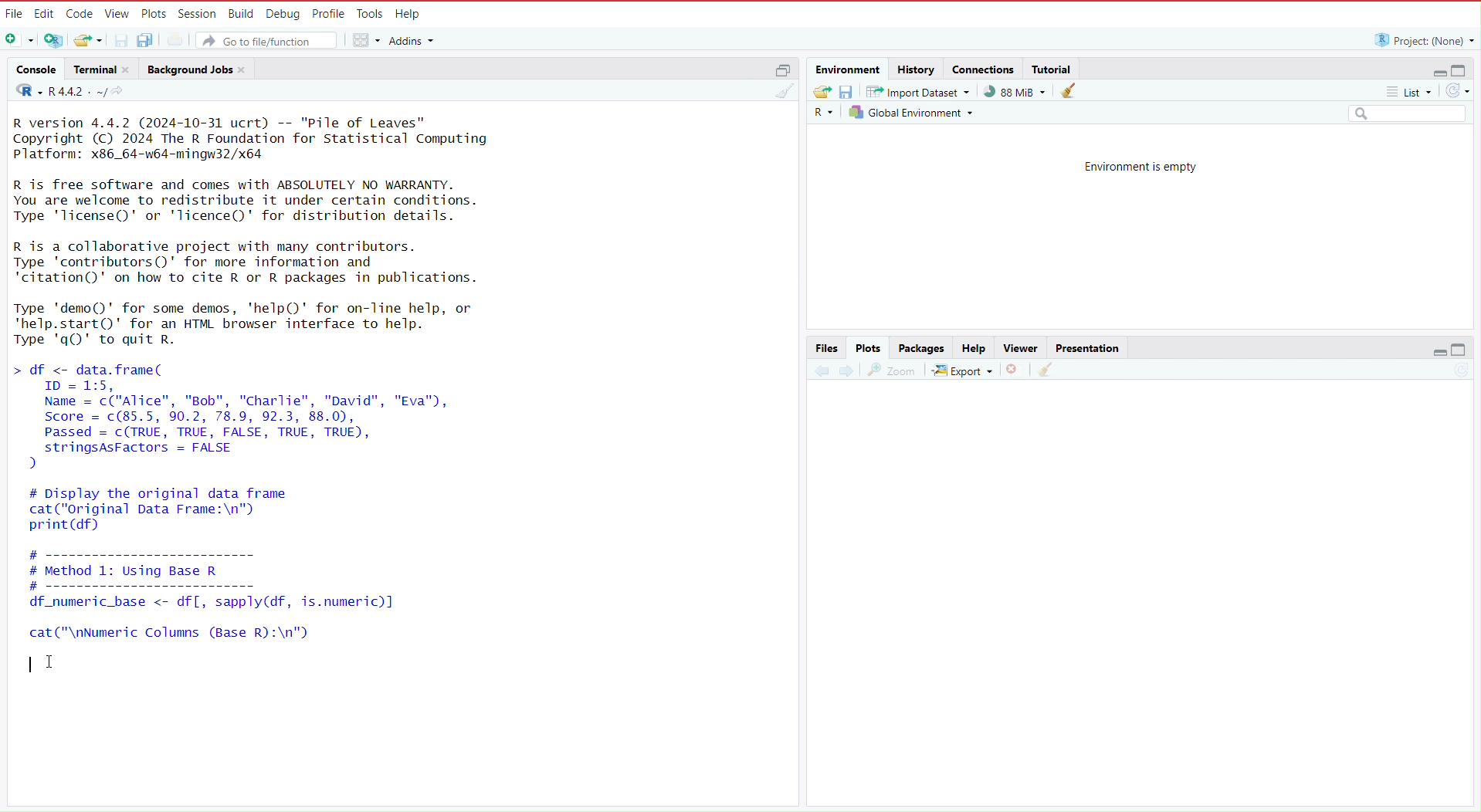 Image resolution: width=1481 pixels, height=812 pixels. Describe the element at coordinates (849, 67) in the screenshot. I see `Environment` at that location.